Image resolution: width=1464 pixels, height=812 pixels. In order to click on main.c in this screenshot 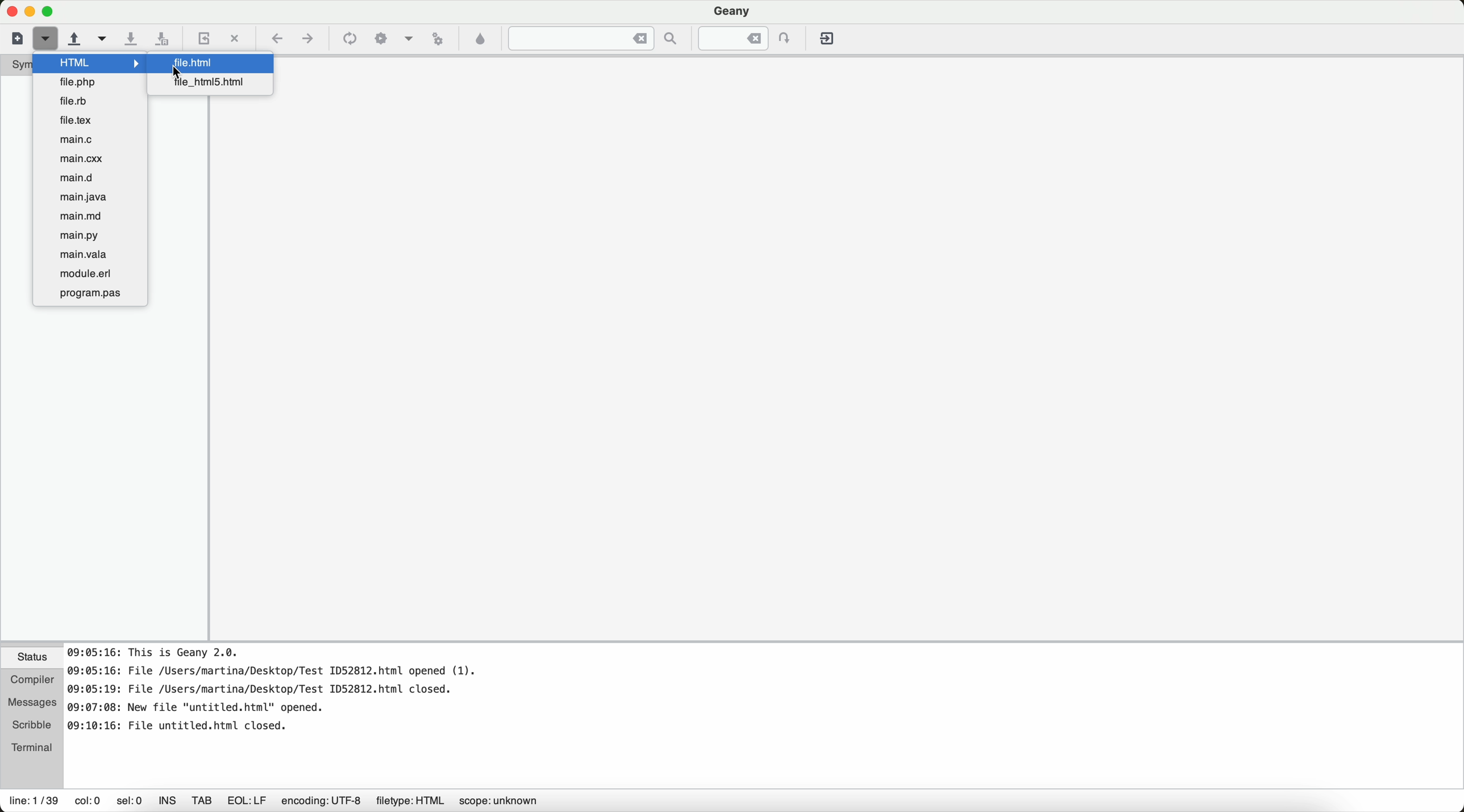, I will do `click(90, 138)`.